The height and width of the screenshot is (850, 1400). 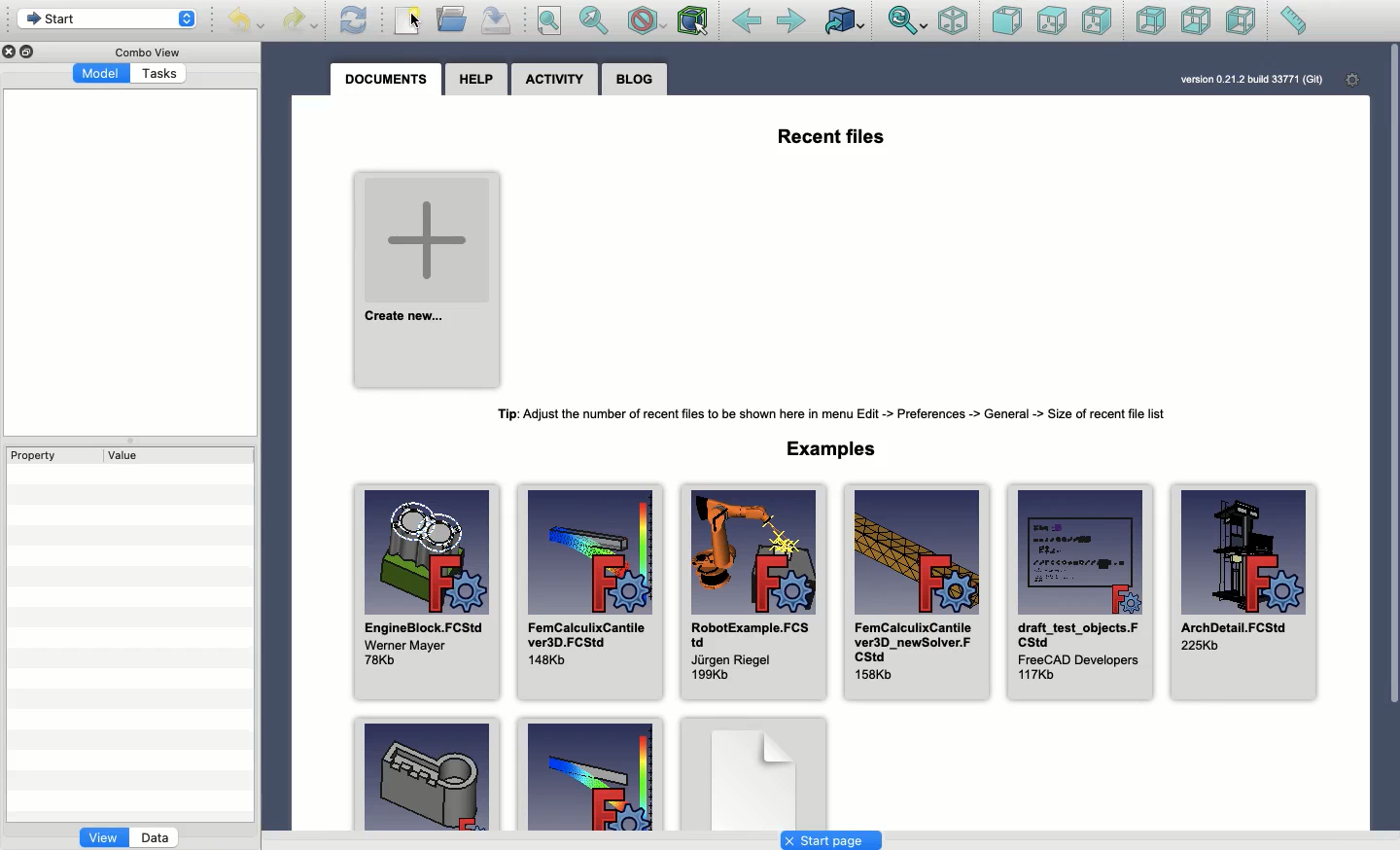 I want to click on Fit selection, so click(x=596, y=19).